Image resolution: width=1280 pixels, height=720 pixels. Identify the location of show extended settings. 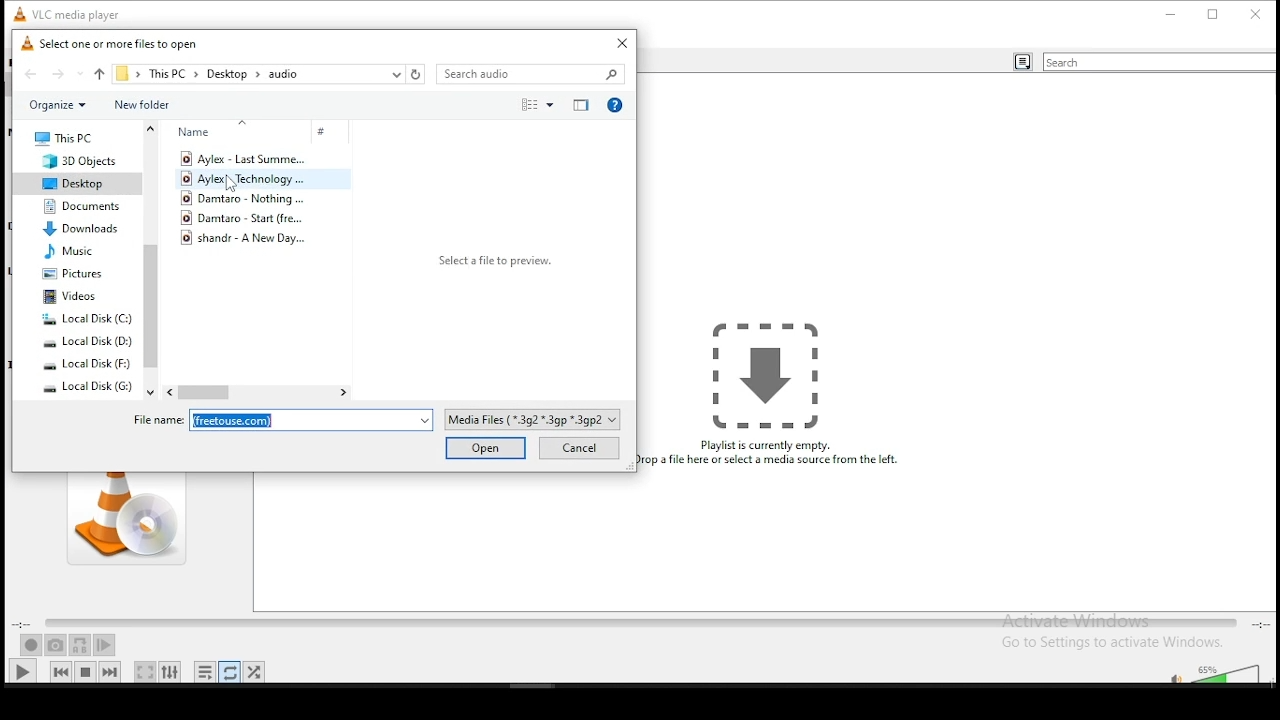
(171, 672).